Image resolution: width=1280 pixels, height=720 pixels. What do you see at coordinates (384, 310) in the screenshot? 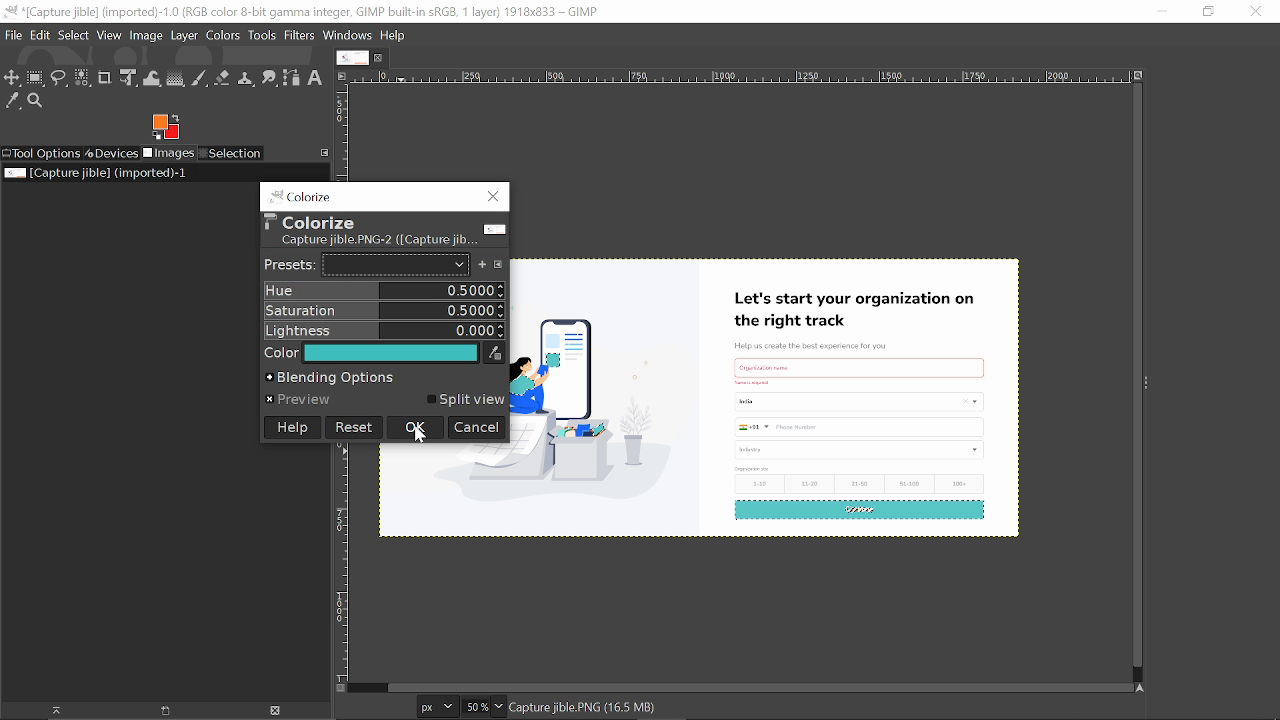
I see `Saturation` at bounding box center [384, 310].